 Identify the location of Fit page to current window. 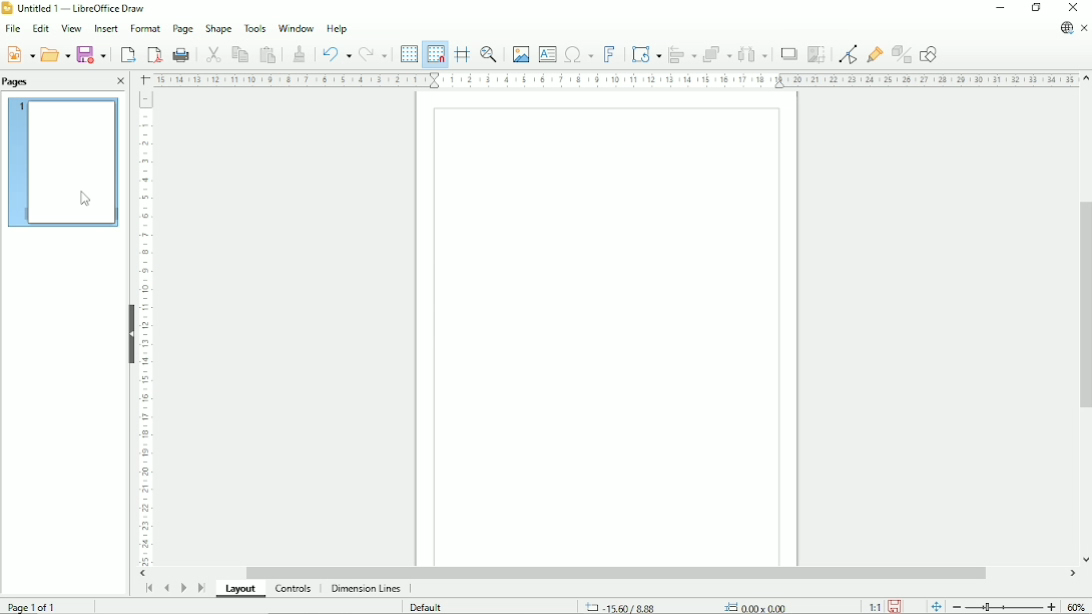
(935, 605).